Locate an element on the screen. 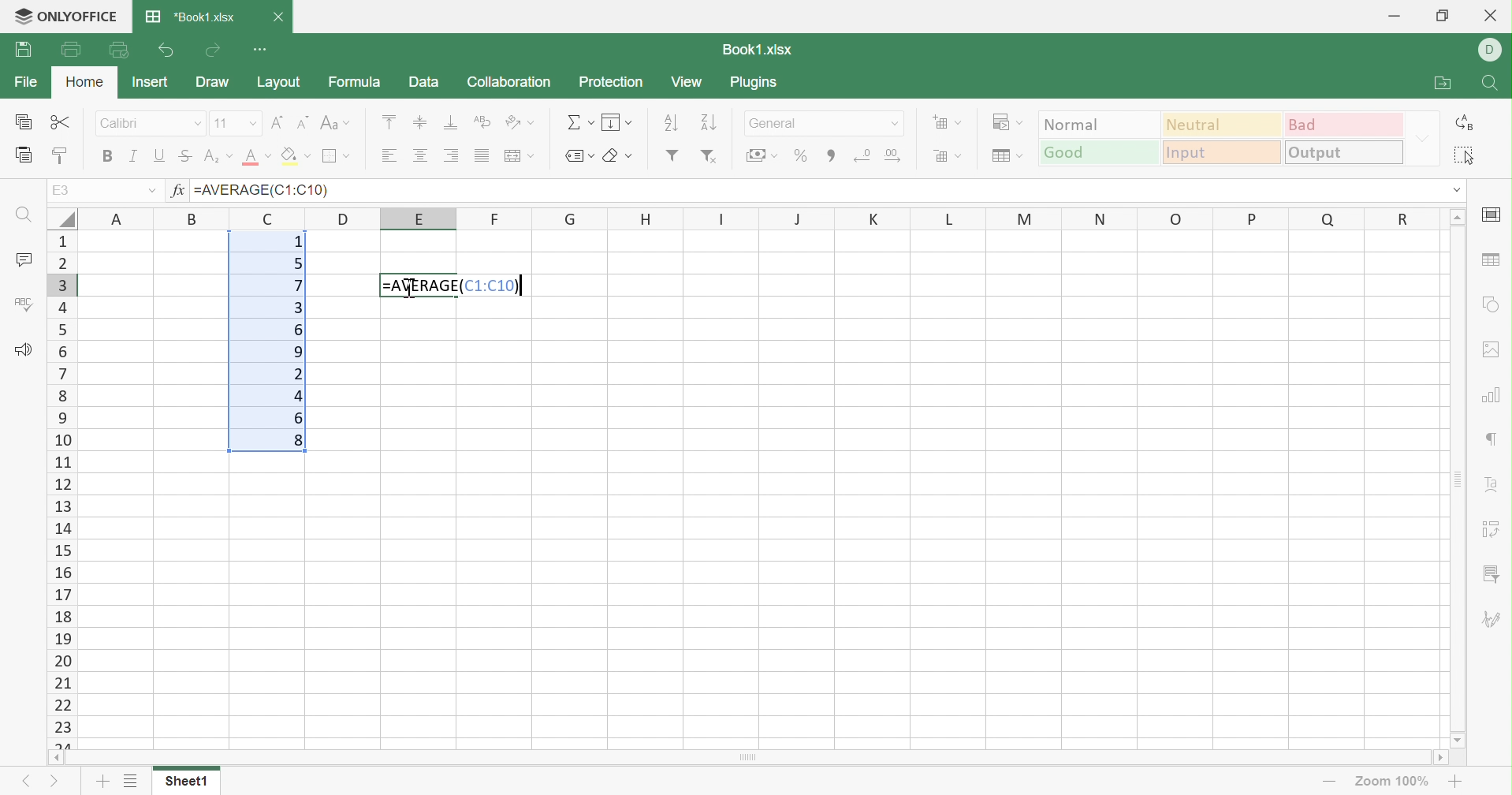  8 is located at coordinates (296, 441).